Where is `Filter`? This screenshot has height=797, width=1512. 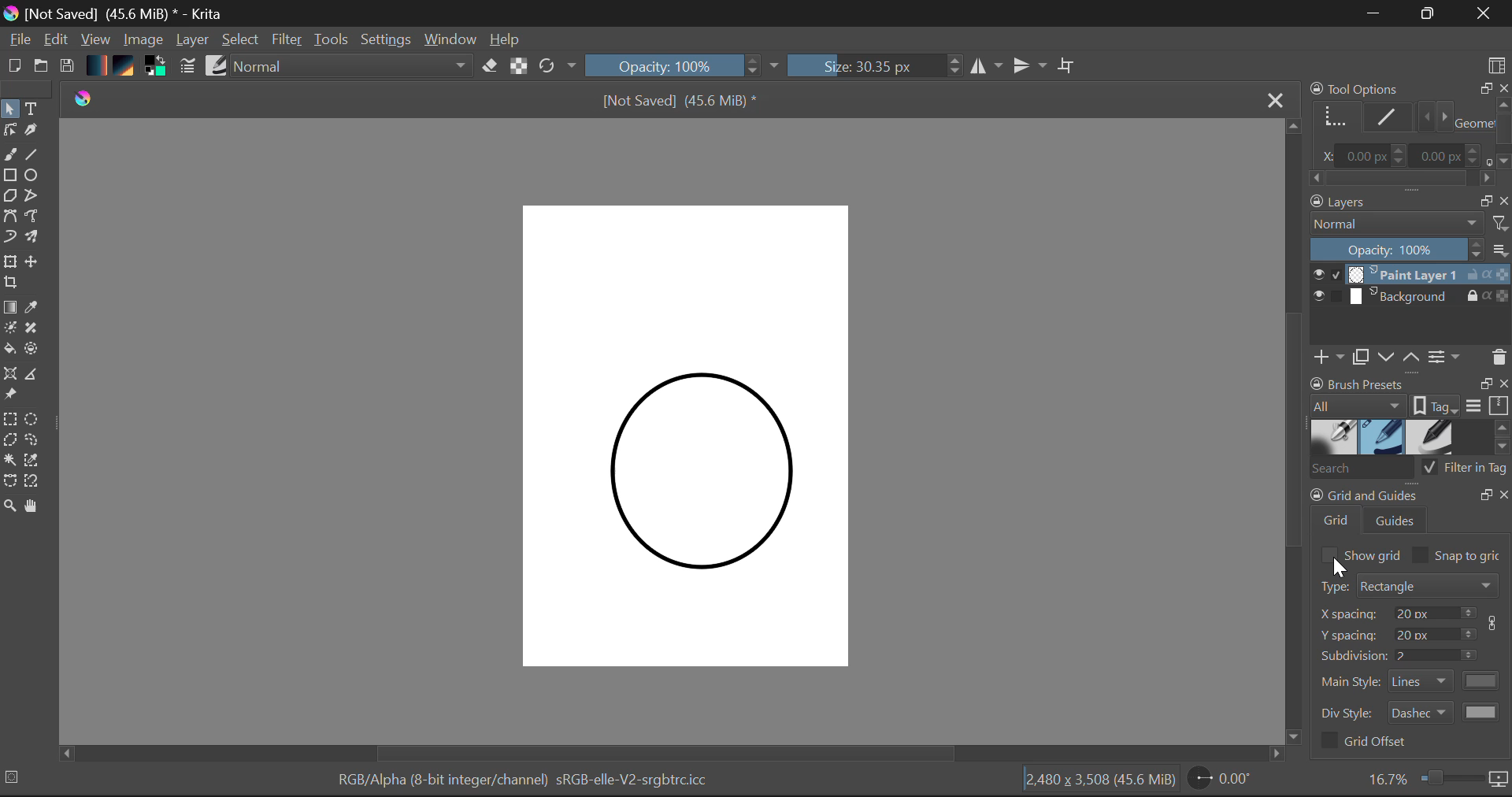
Filter is located at coordinates (285, 40).